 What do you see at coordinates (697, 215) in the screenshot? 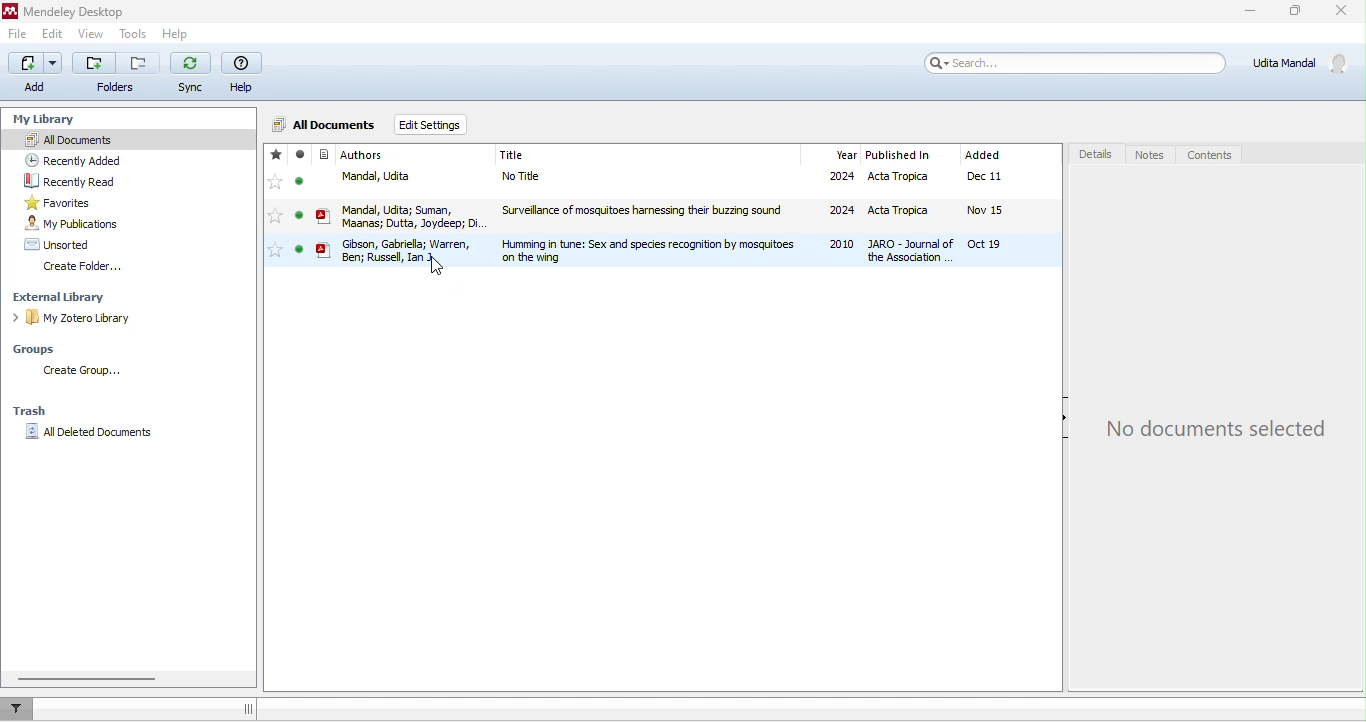
I see `file` at bounding box center [697, 215].